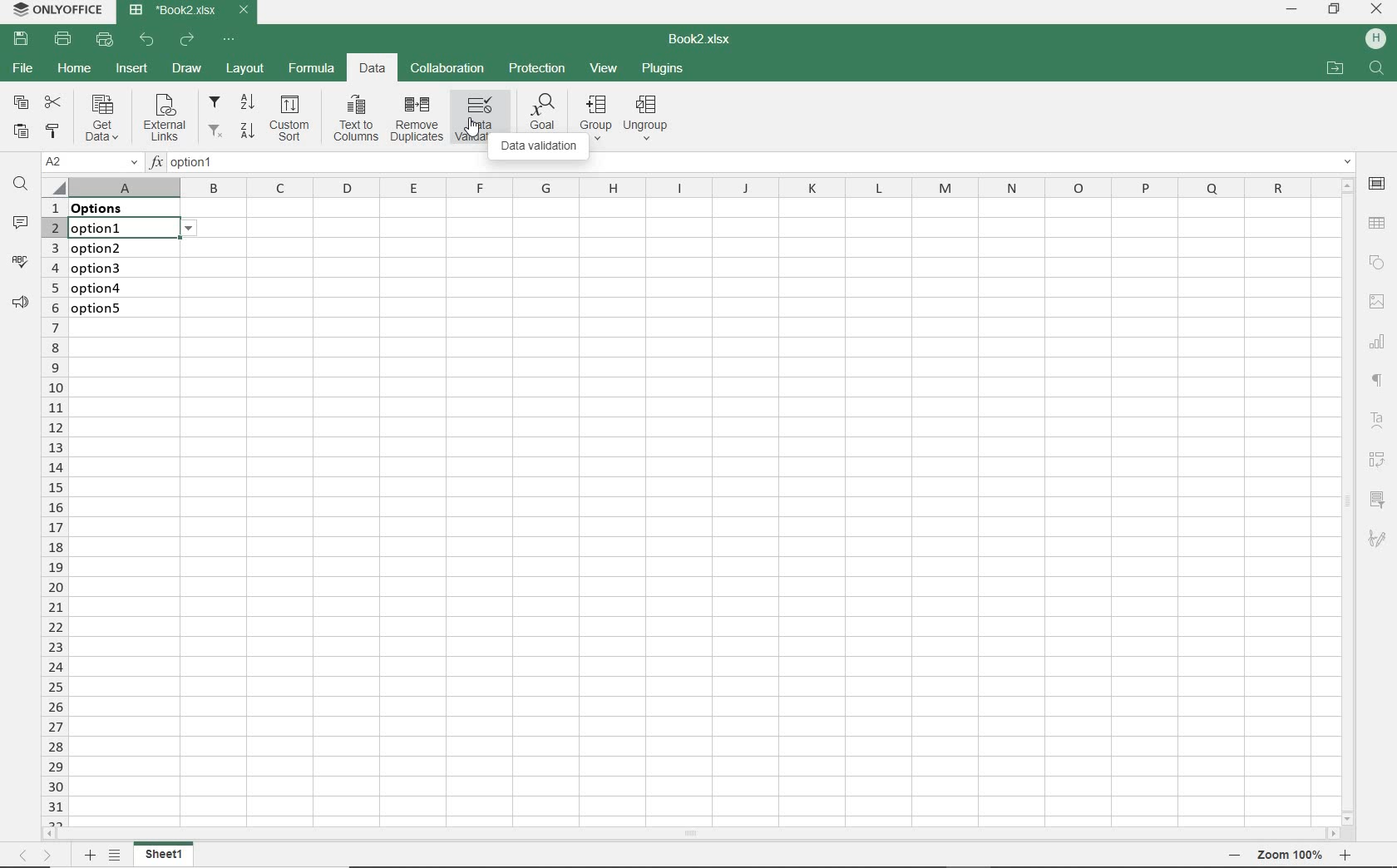 The image size is (1397, 868). What do you see at coordinates (22, 71) in the screenshot?
I see `FILE` at bounding box center [22, 71].